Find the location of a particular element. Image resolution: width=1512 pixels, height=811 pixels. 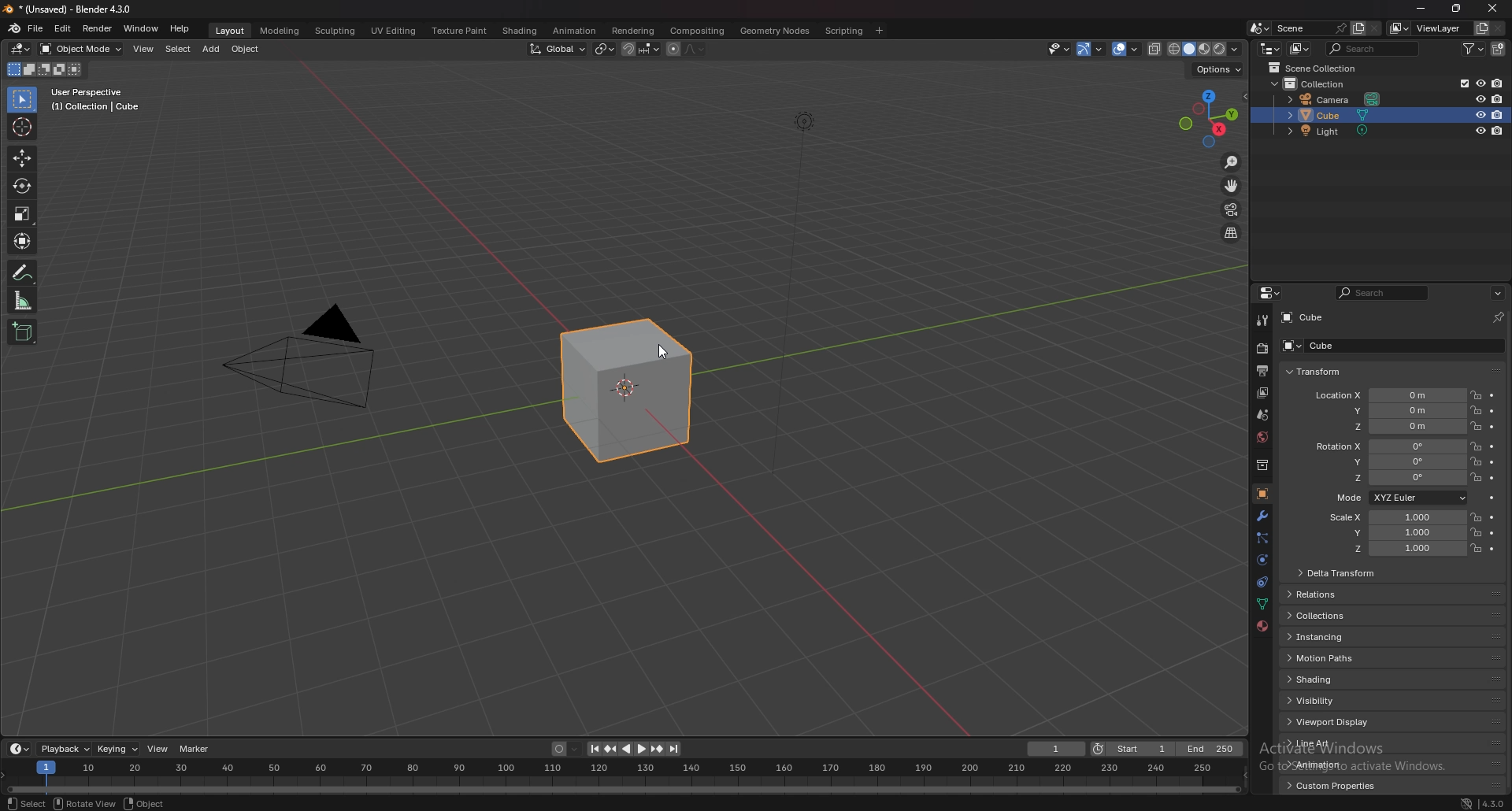

animation is located at coordinates (1327, 764).